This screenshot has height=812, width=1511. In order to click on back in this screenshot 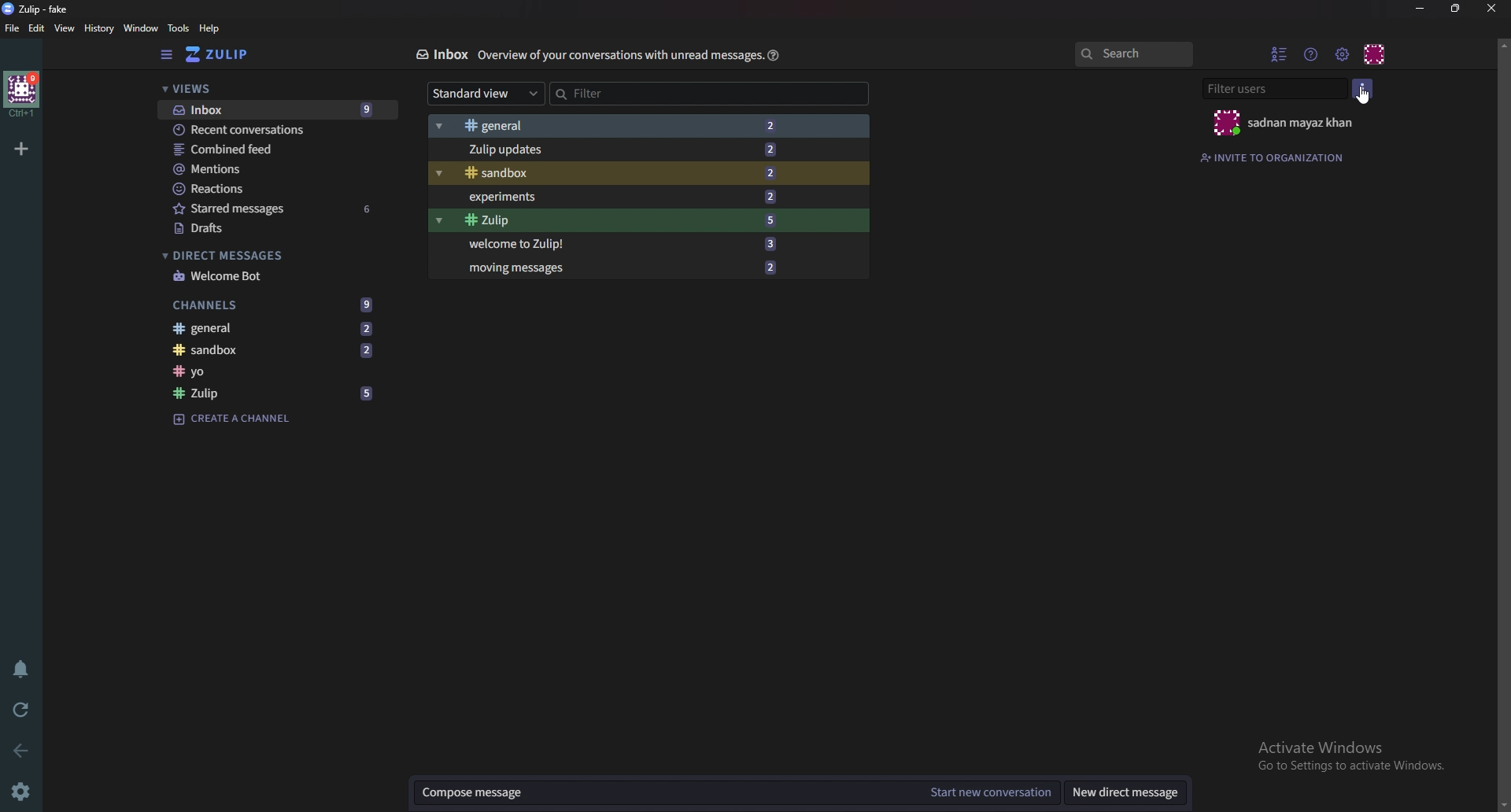, I will do `click(17, 750)`.